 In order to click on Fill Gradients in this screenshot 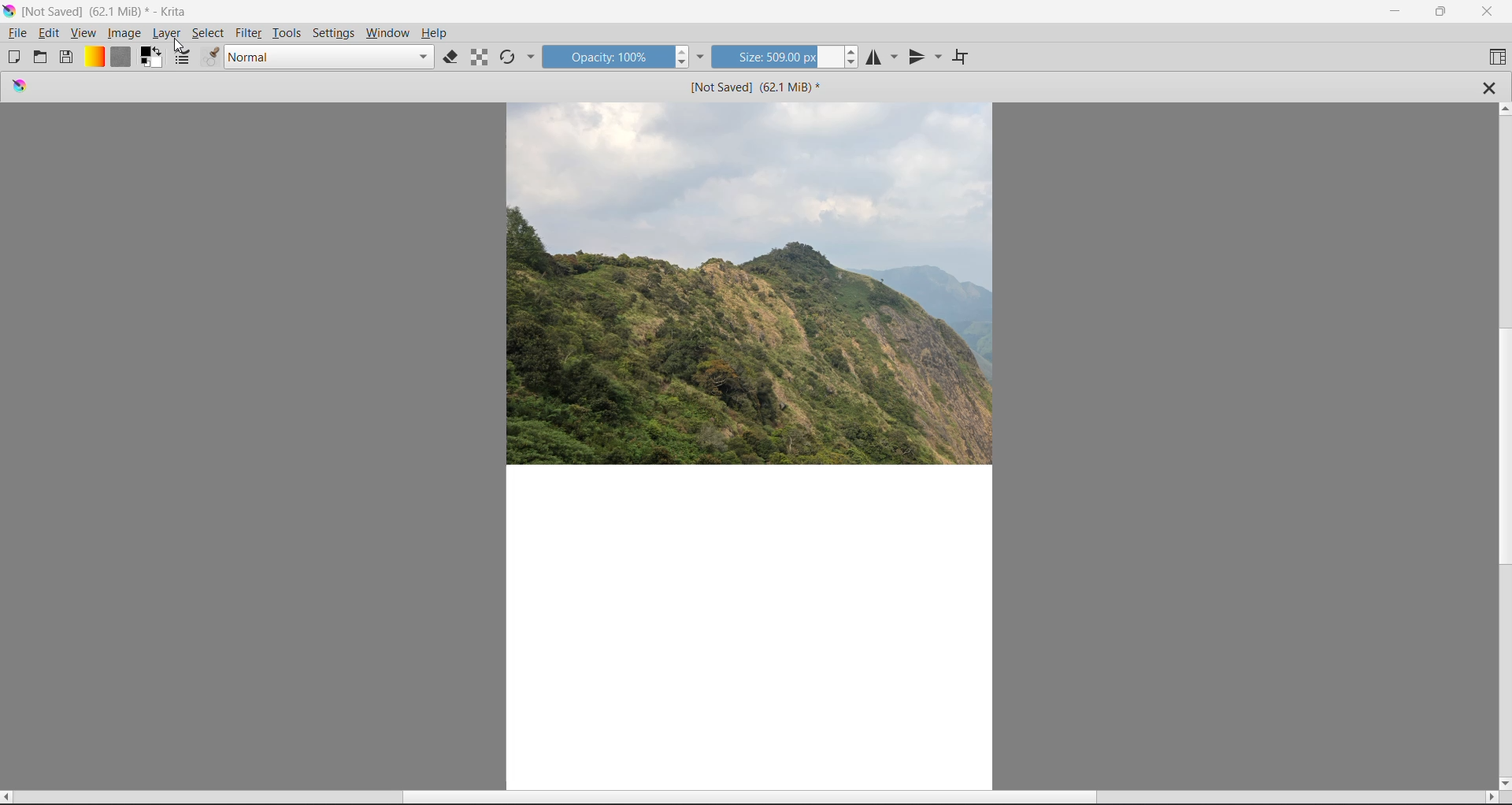, I will do `click(95, 57)`.